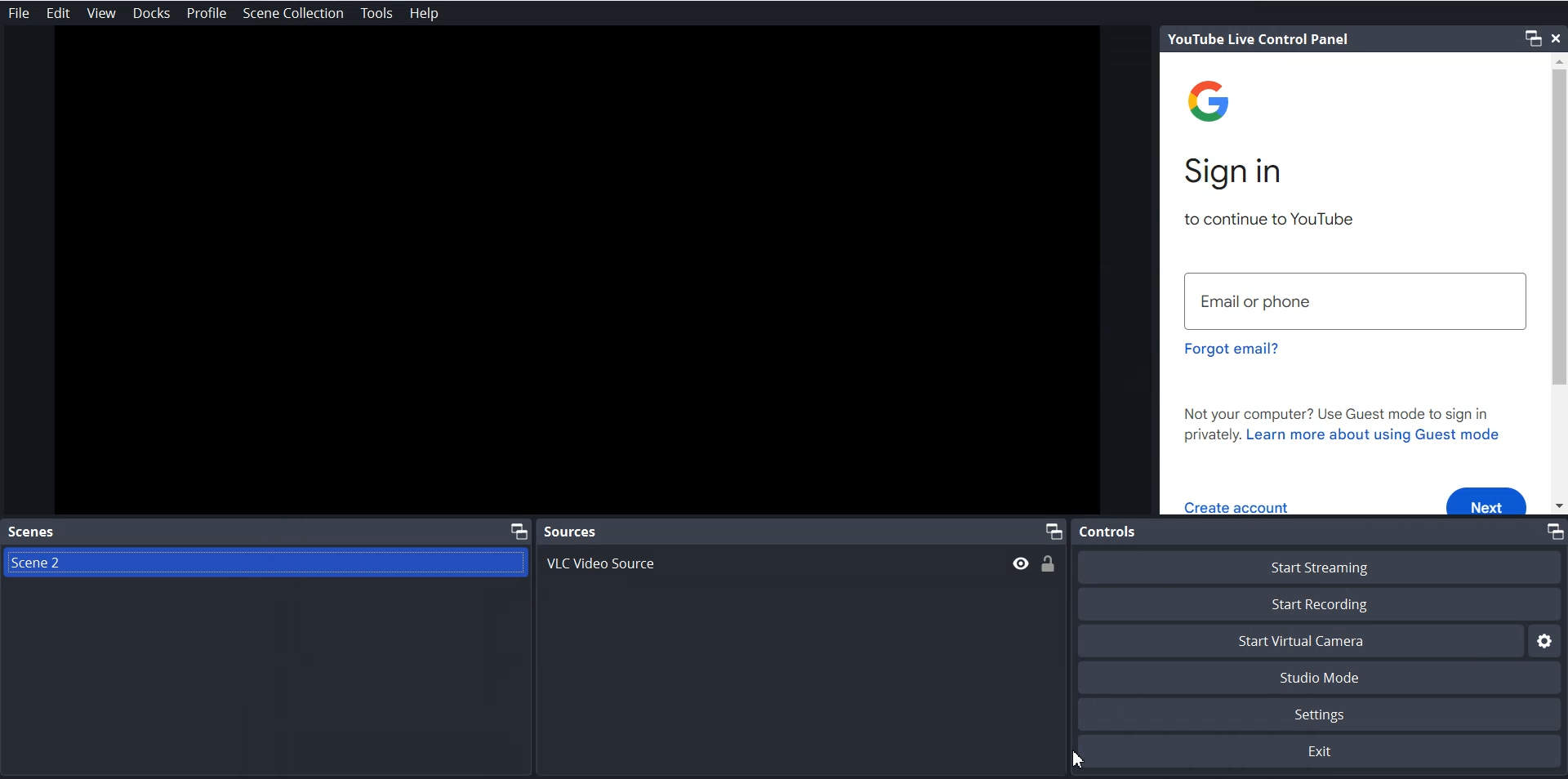 This screenshot has height=779, width=1568. I want to click on Sign in, so click(1239, 172).